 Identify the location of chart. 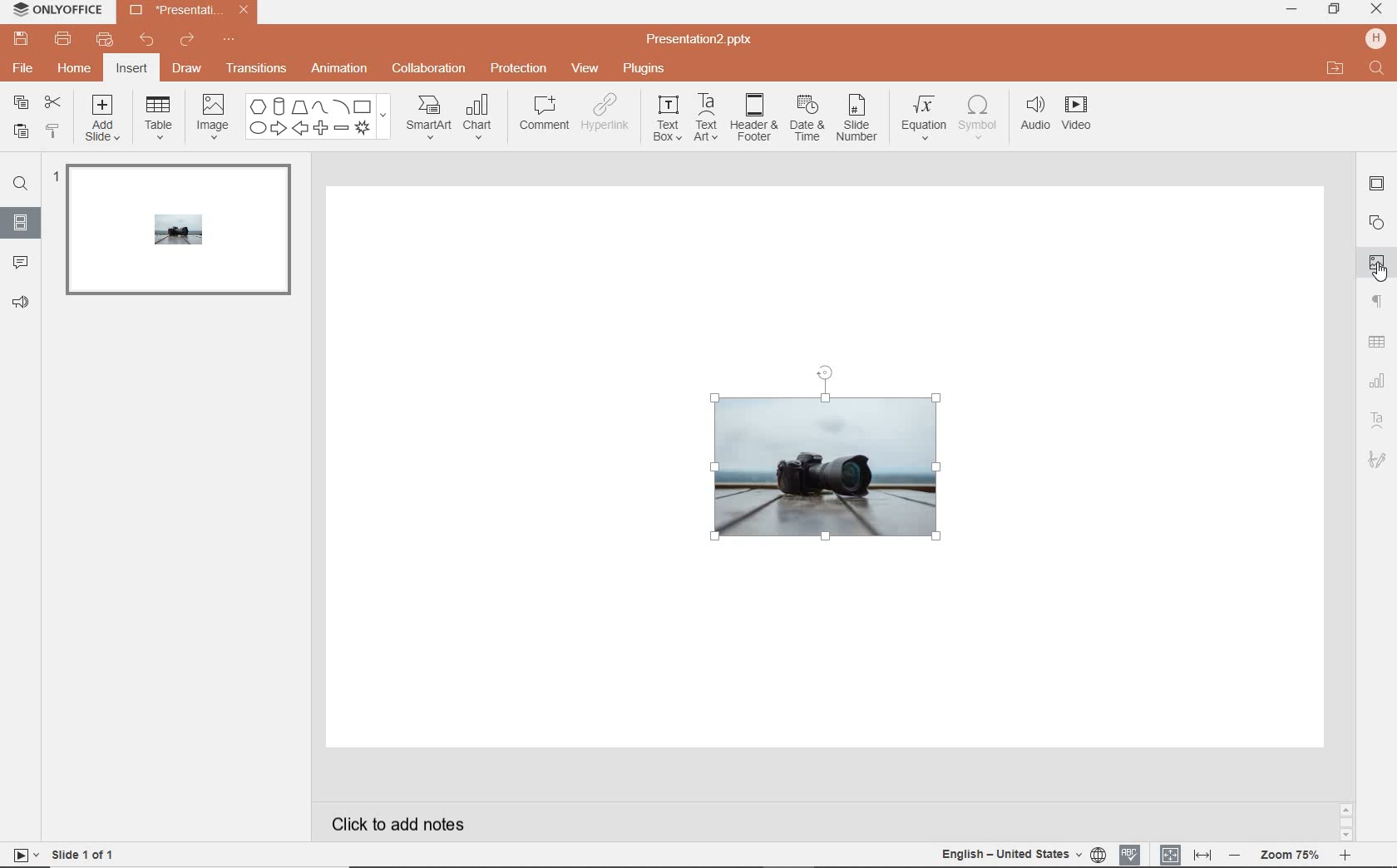
(1379, 379).